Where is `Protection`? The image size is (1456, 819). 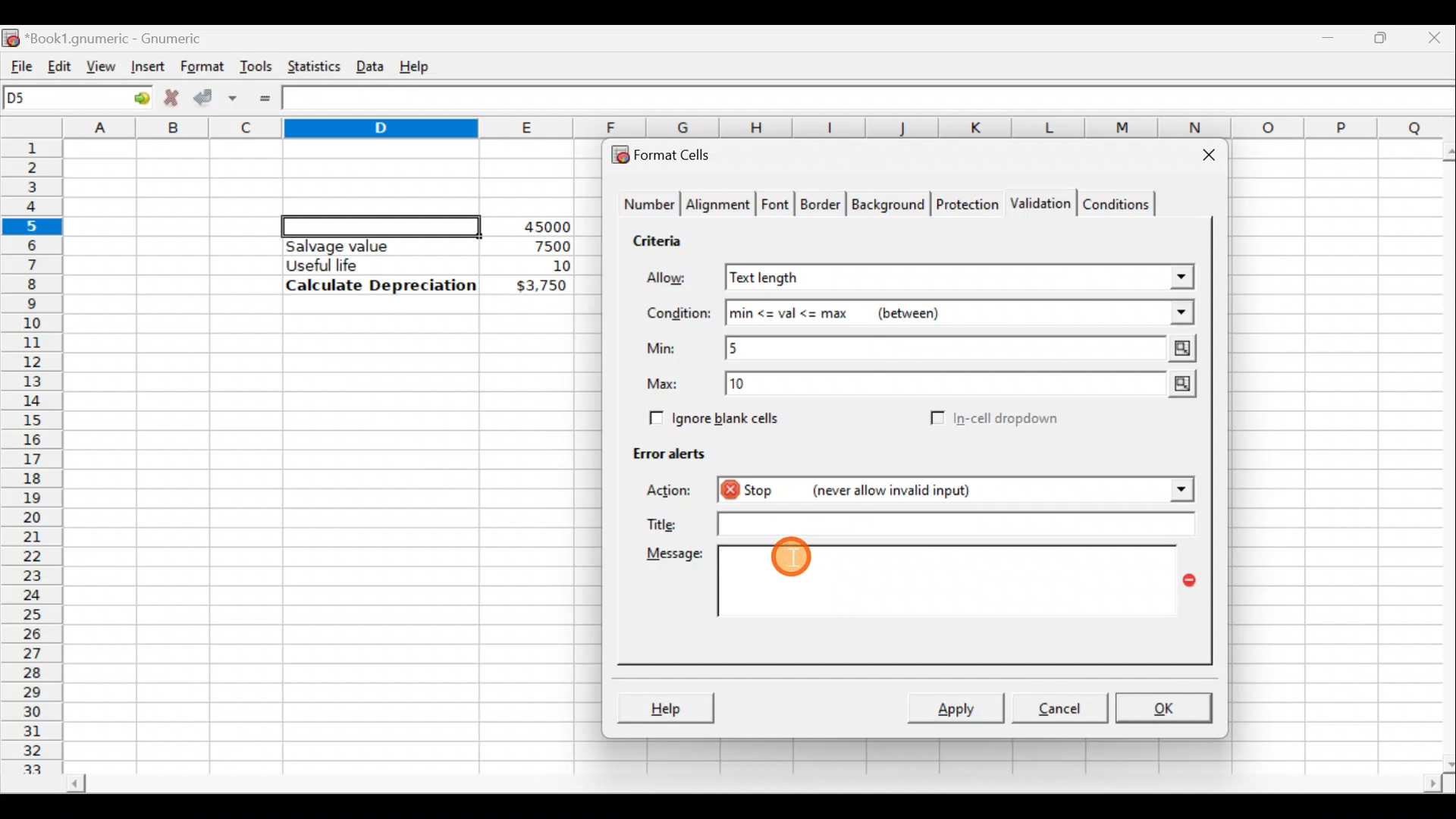
Protection is located at coordinates (963, 202).